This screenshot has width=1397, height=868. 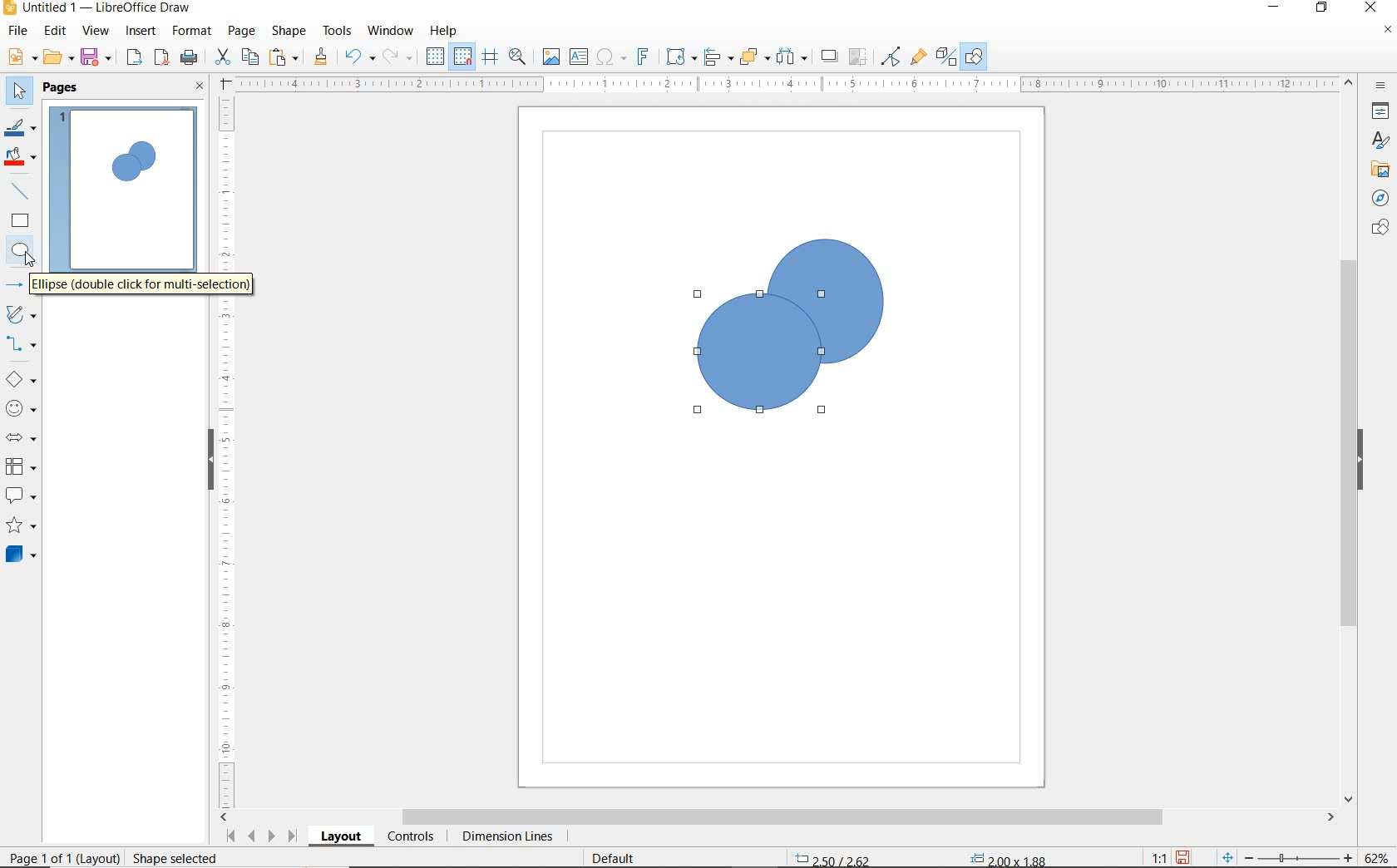 I want to click on MINIMIZE, so click(x=1276, y=8).